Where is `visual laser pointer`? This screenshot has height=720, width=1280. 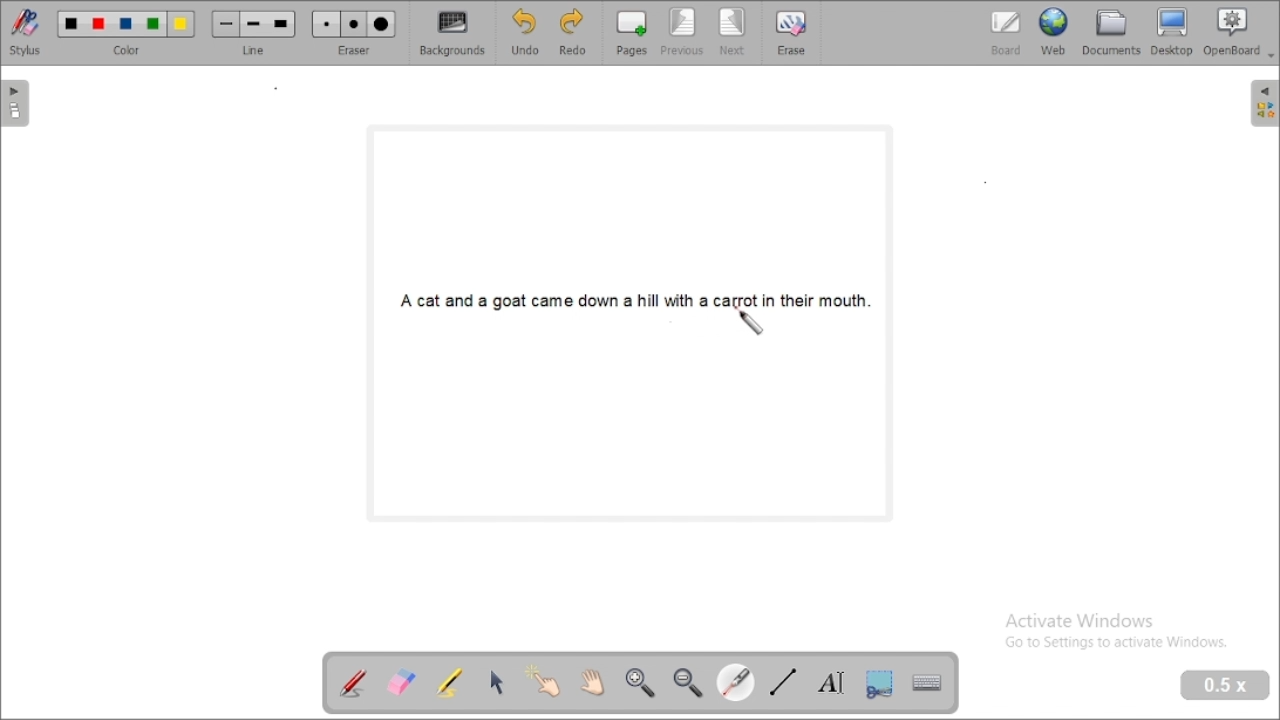
visual laser pointer is located at coordinates (735, 681).